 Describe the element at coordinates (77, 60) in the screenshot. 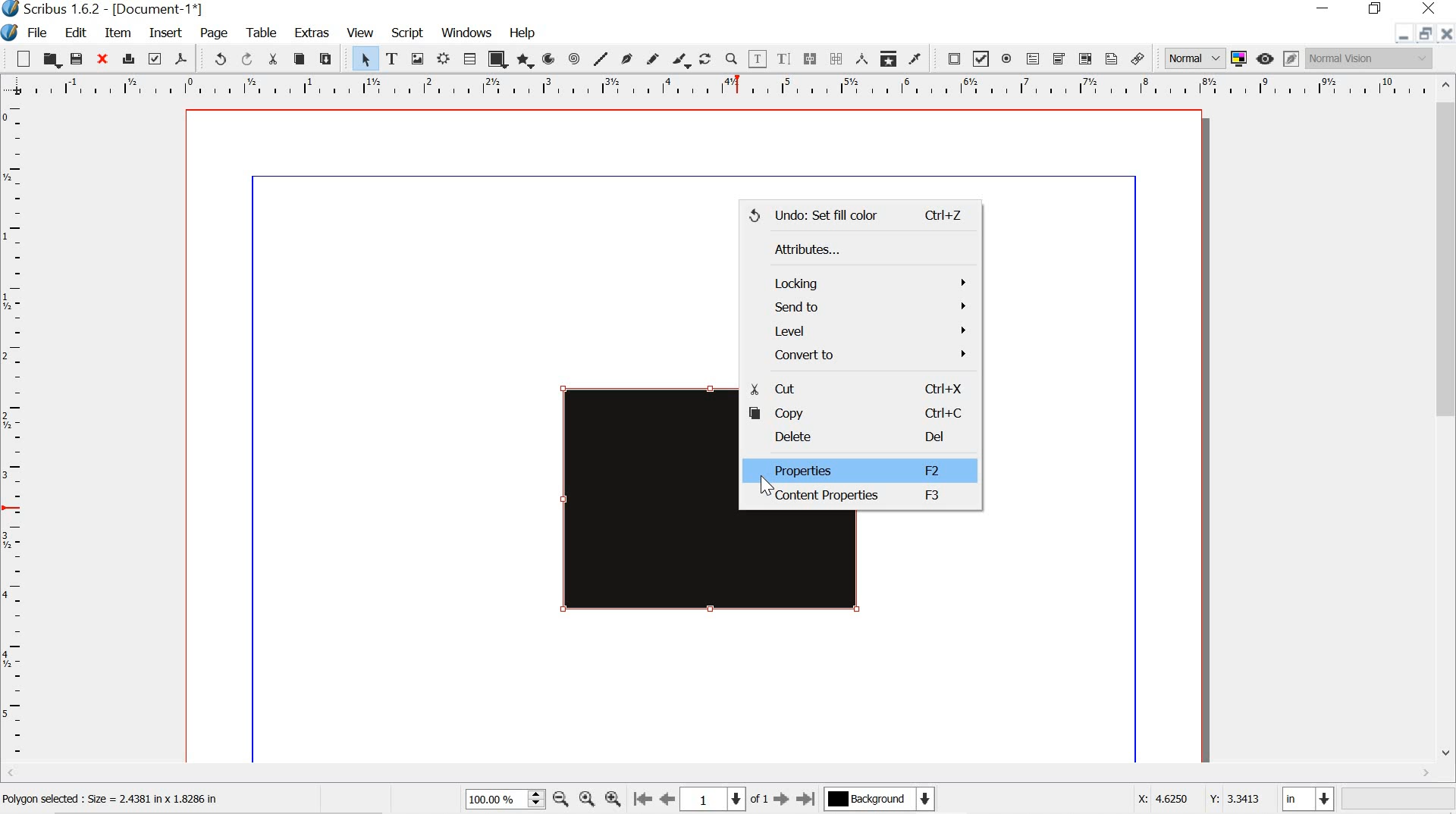

I see `save` at that location.